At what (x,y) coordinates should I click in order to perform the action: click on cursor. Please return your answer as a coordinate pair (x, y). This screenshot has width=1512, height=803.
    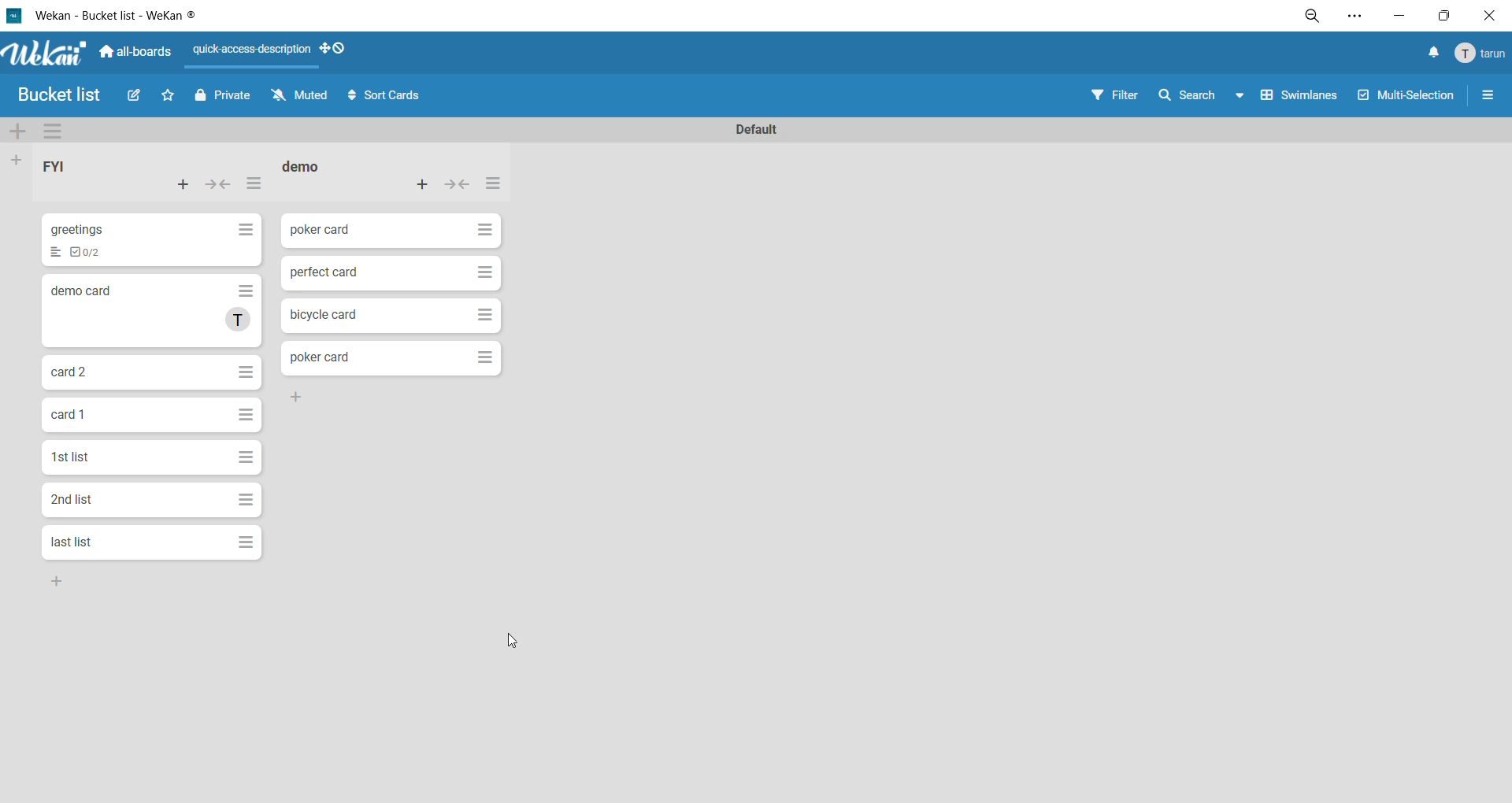
    Looking at the image, I should click on (514, 639).